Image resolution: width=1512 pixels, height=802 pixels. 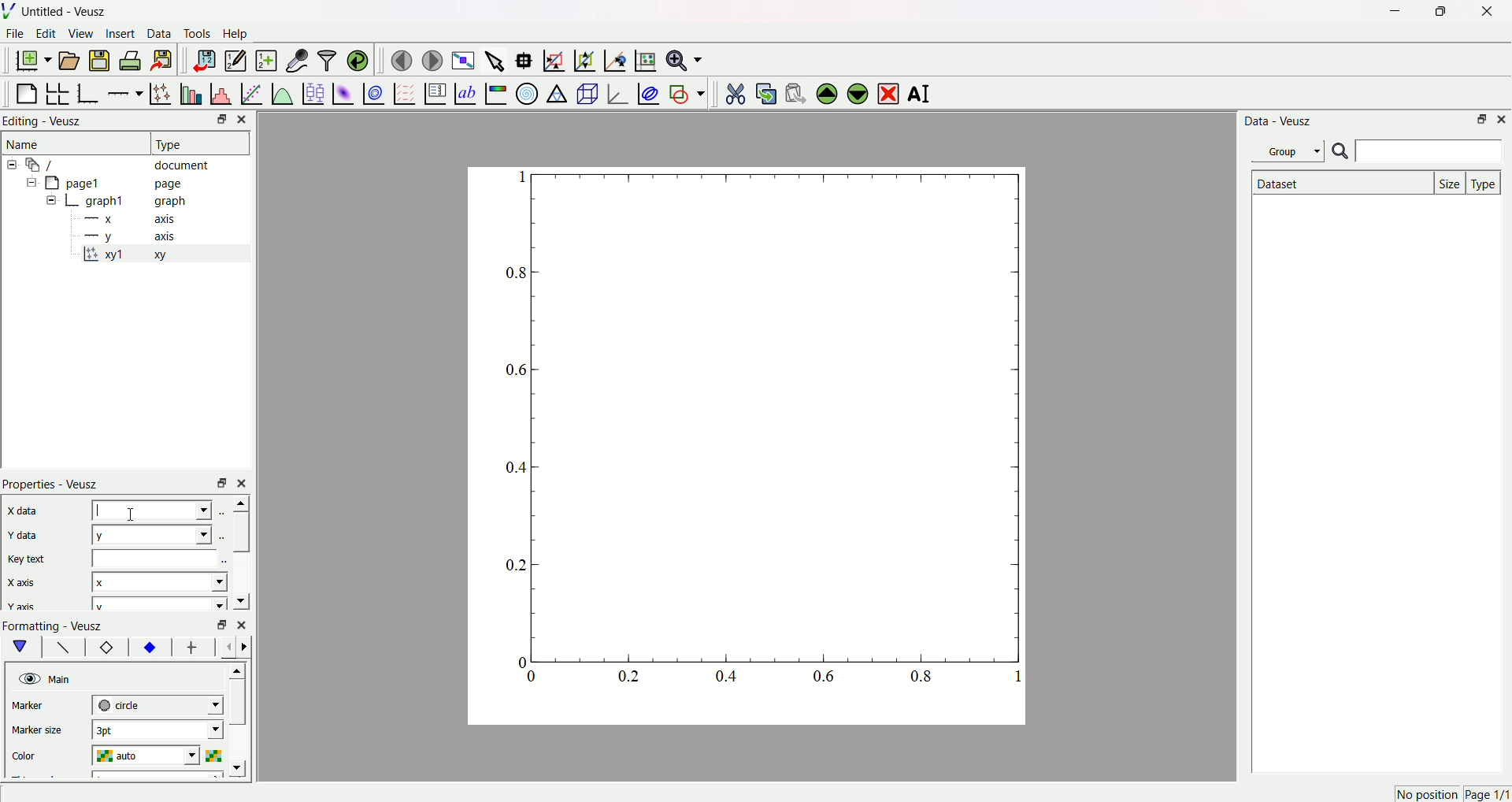 I want to click on no position, so click(x=1425, y=794).